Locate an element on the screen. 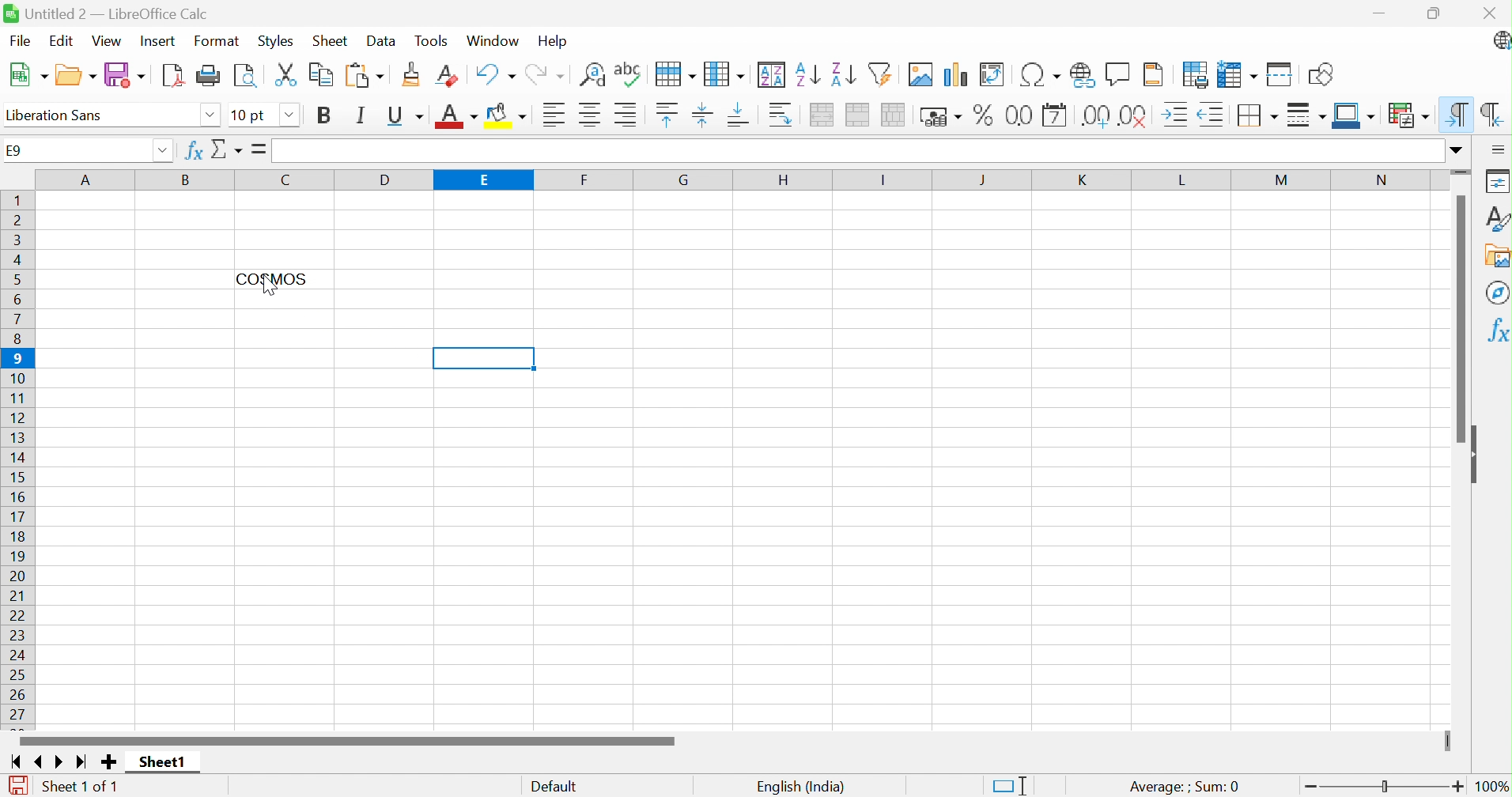  Bold is located at coordinates (326, 115).